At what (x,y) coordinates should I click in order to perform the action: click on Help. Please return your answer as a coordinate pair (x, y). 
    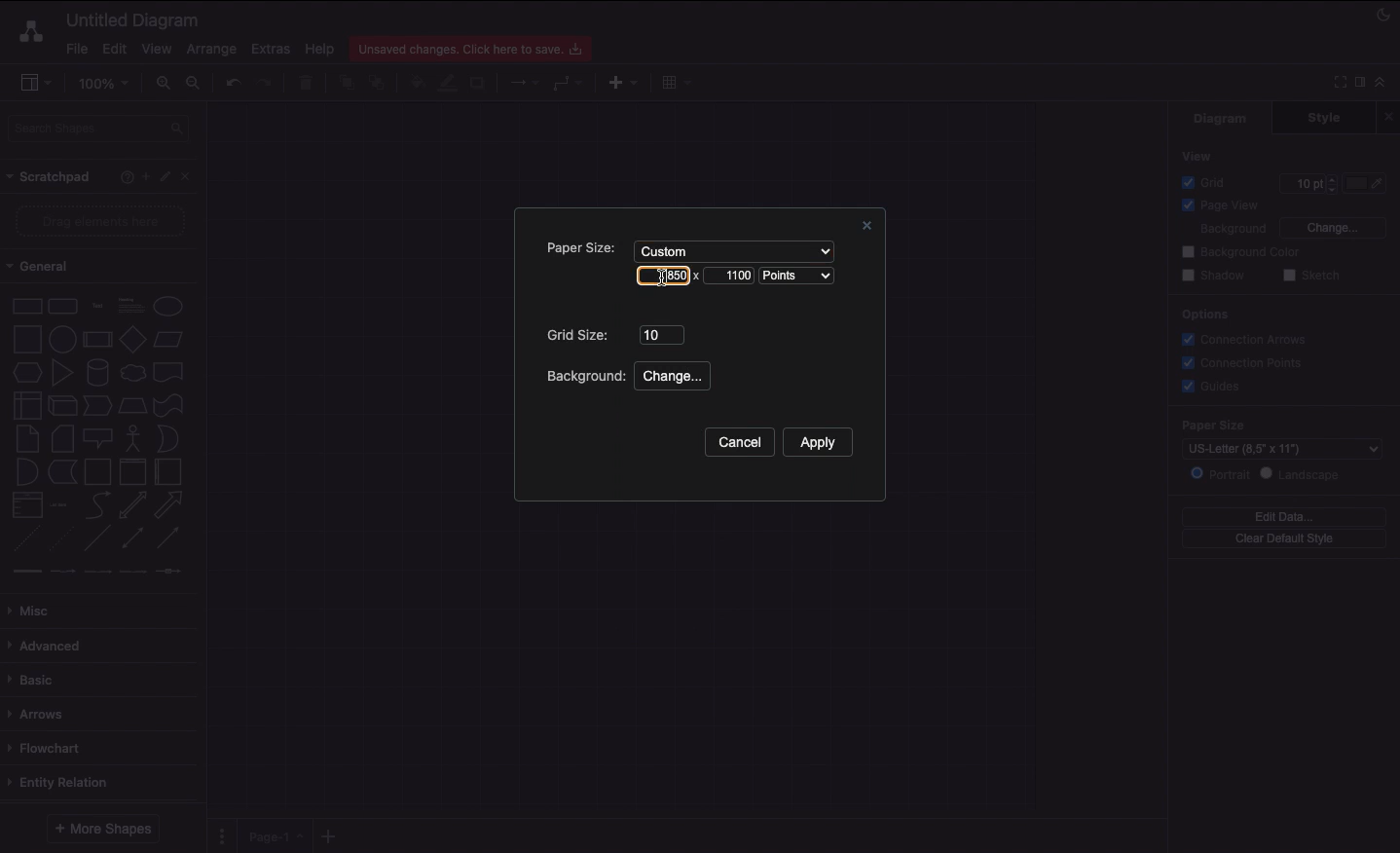
    Looking at the image, I should click on (123, 176).